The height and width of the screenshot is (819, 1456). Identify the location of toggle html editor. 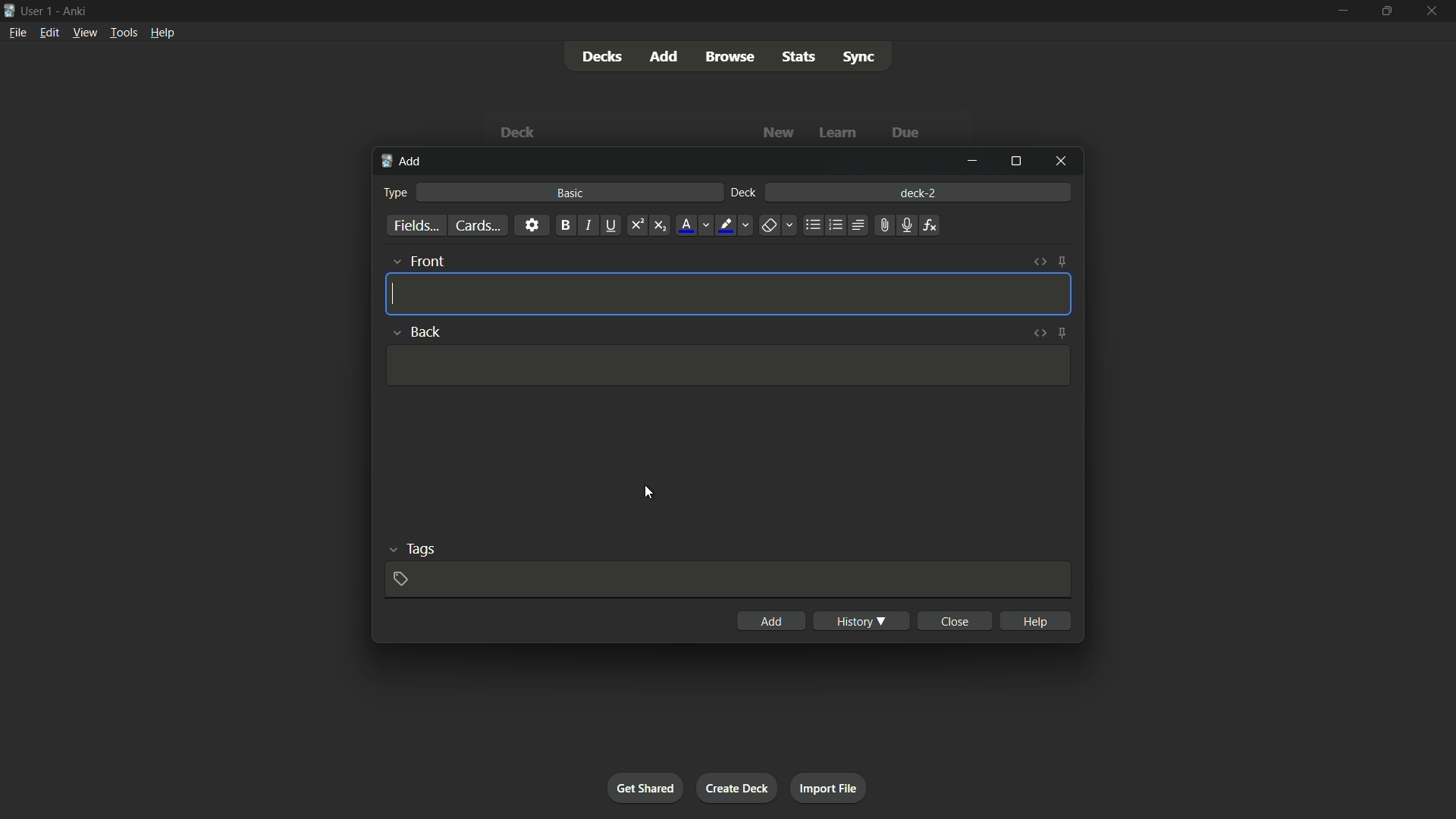
(1043, 260).